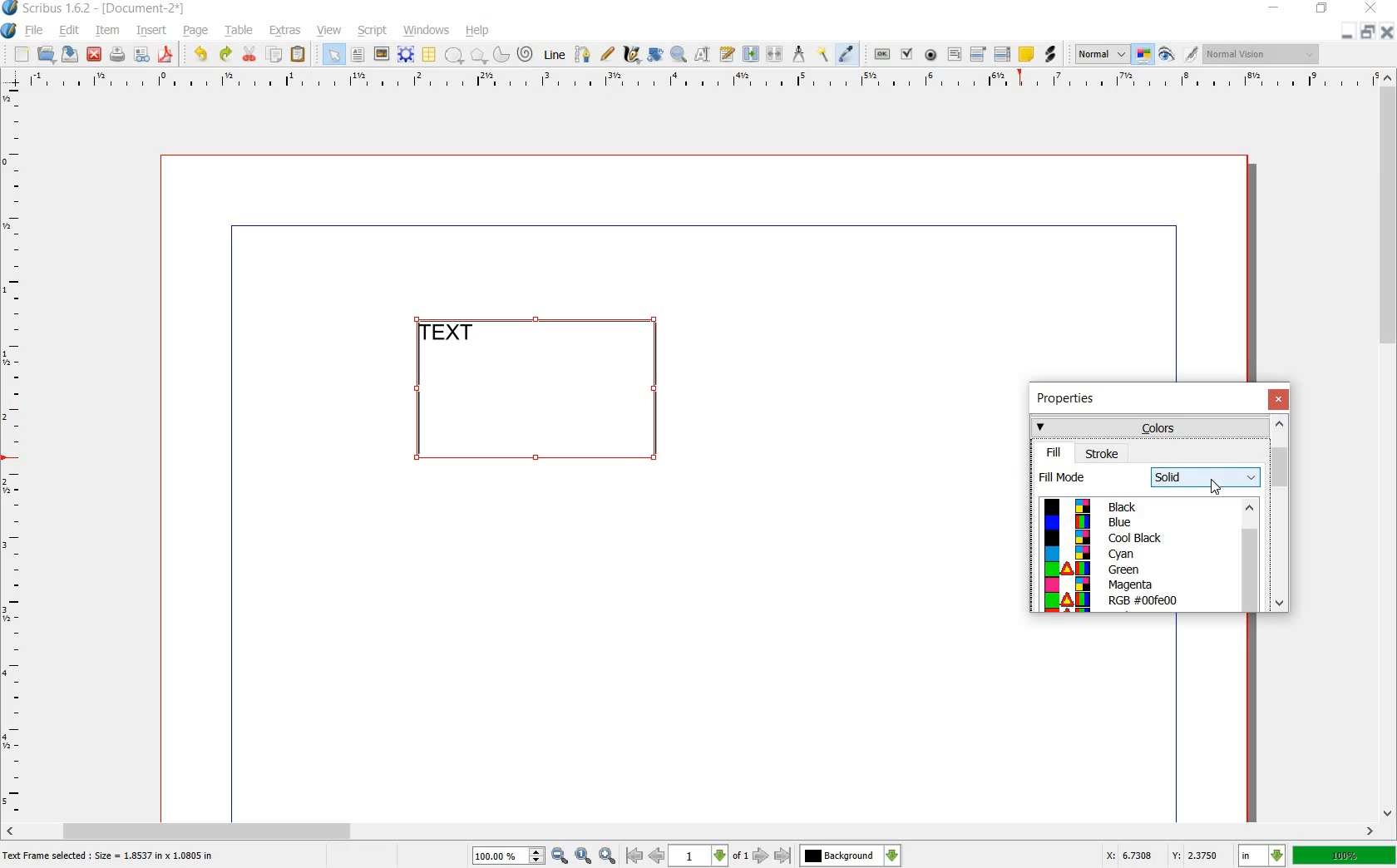  What do you see at coordinates (285, 31) in the screenshot?
I see `extras` at bounding box center [285, 31].